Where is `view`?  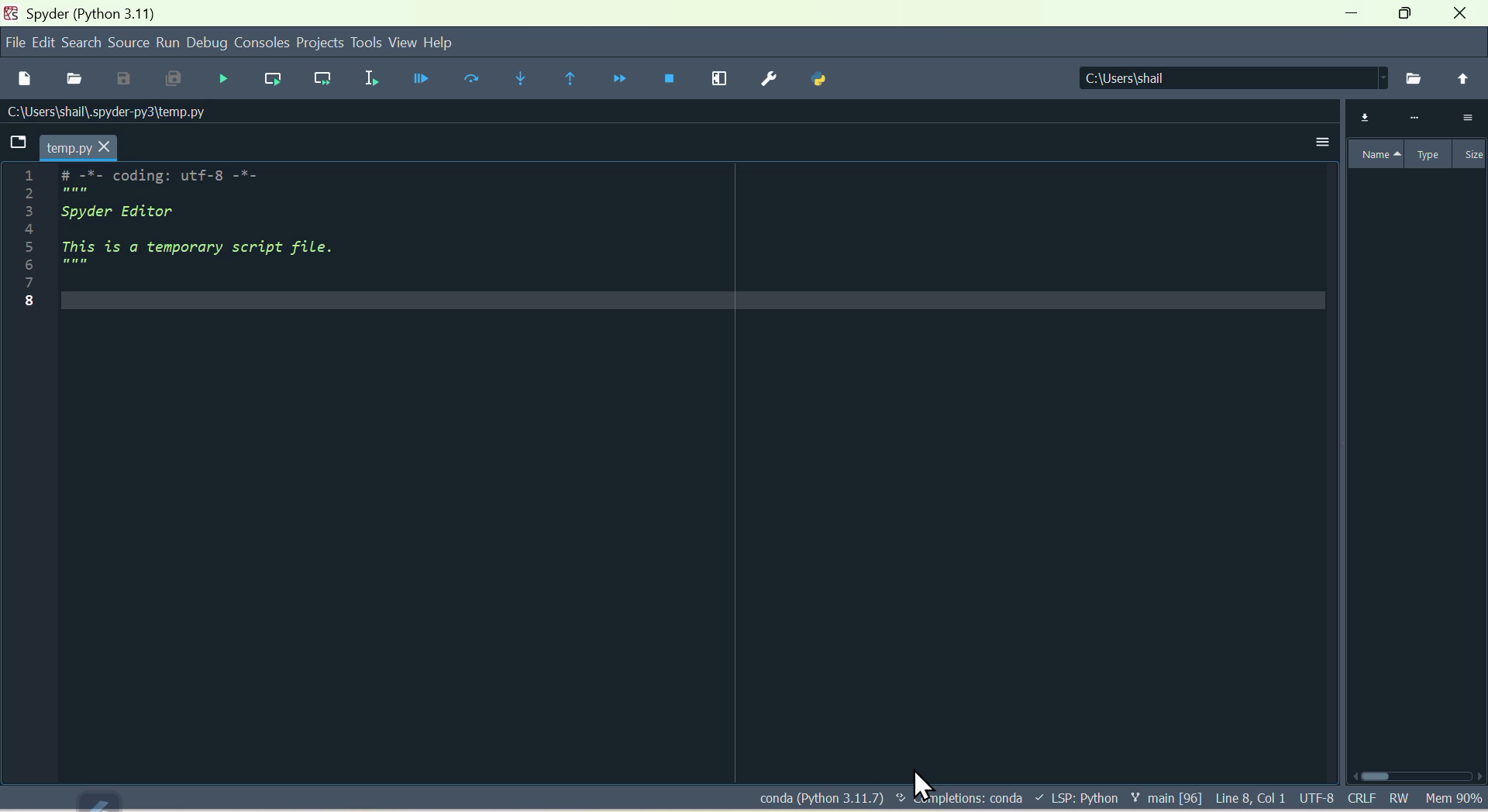 view is located at coordinates (405, 43).